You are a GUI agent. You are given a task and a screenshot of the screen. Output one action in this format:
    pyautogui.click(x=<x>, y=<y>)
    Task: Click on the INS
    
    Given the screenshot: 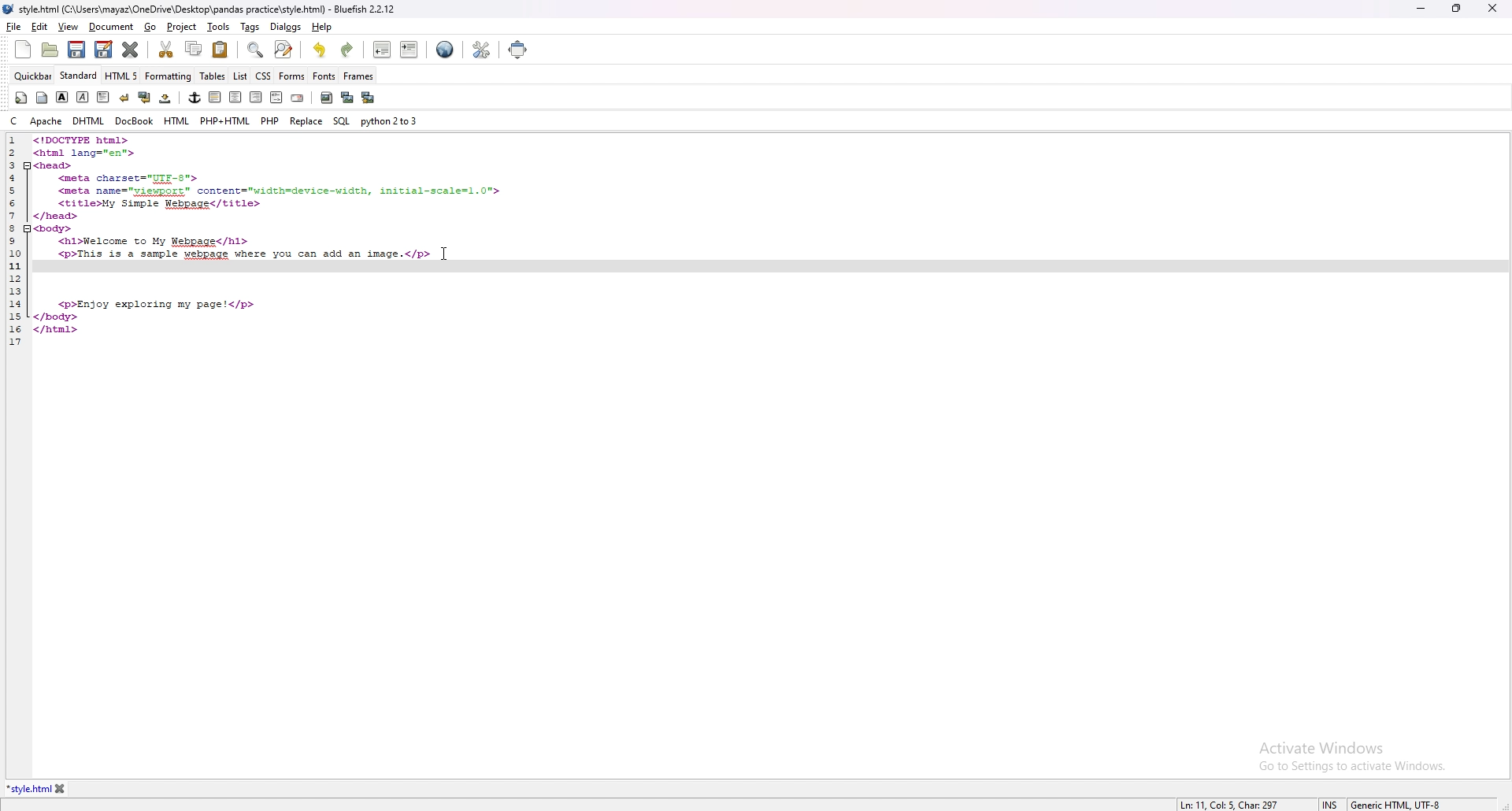 What is the action you would take?
    pyautogui.click(x=1334, y=804)
    